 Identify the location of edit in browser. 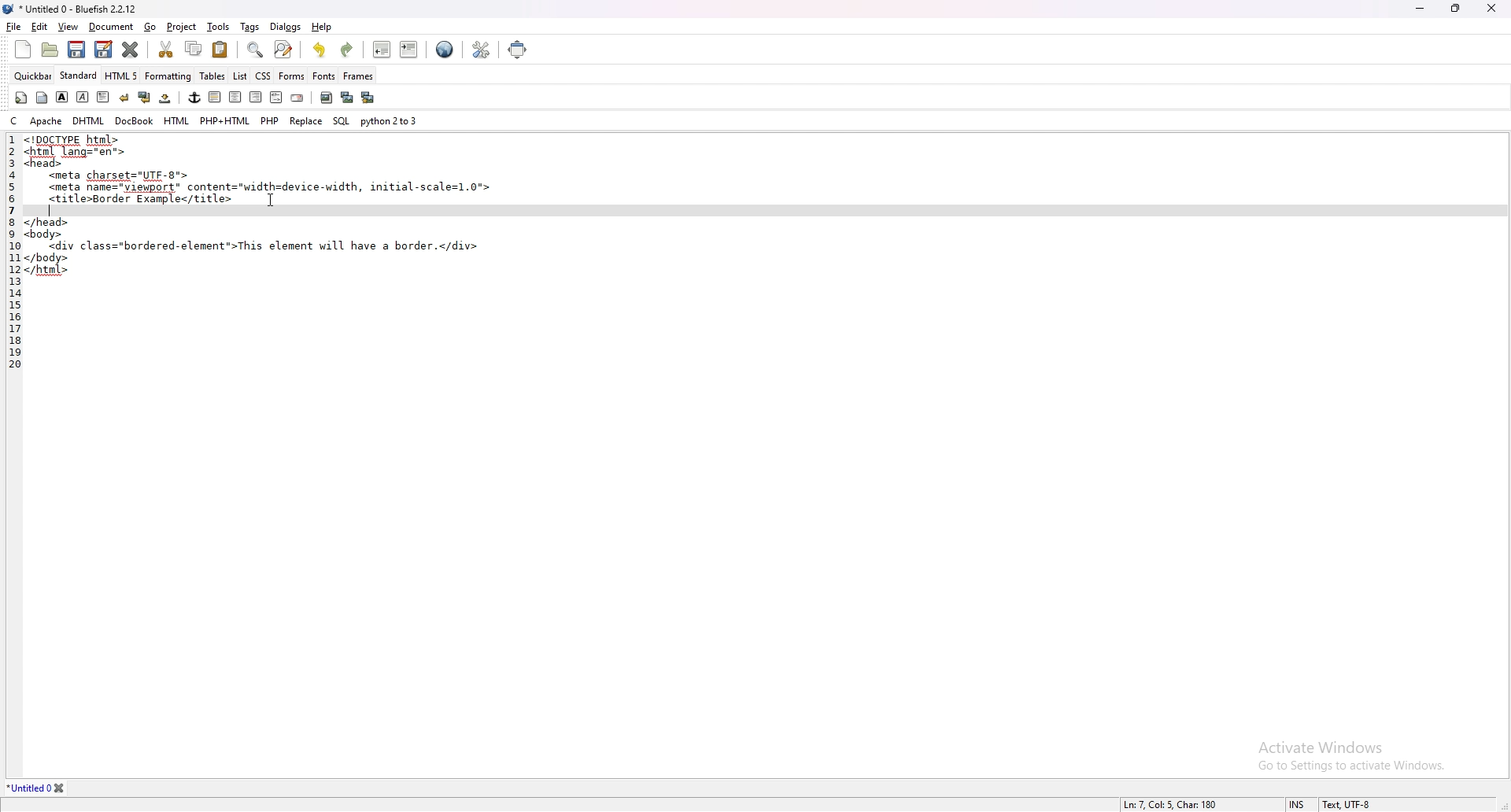
(445, 50).